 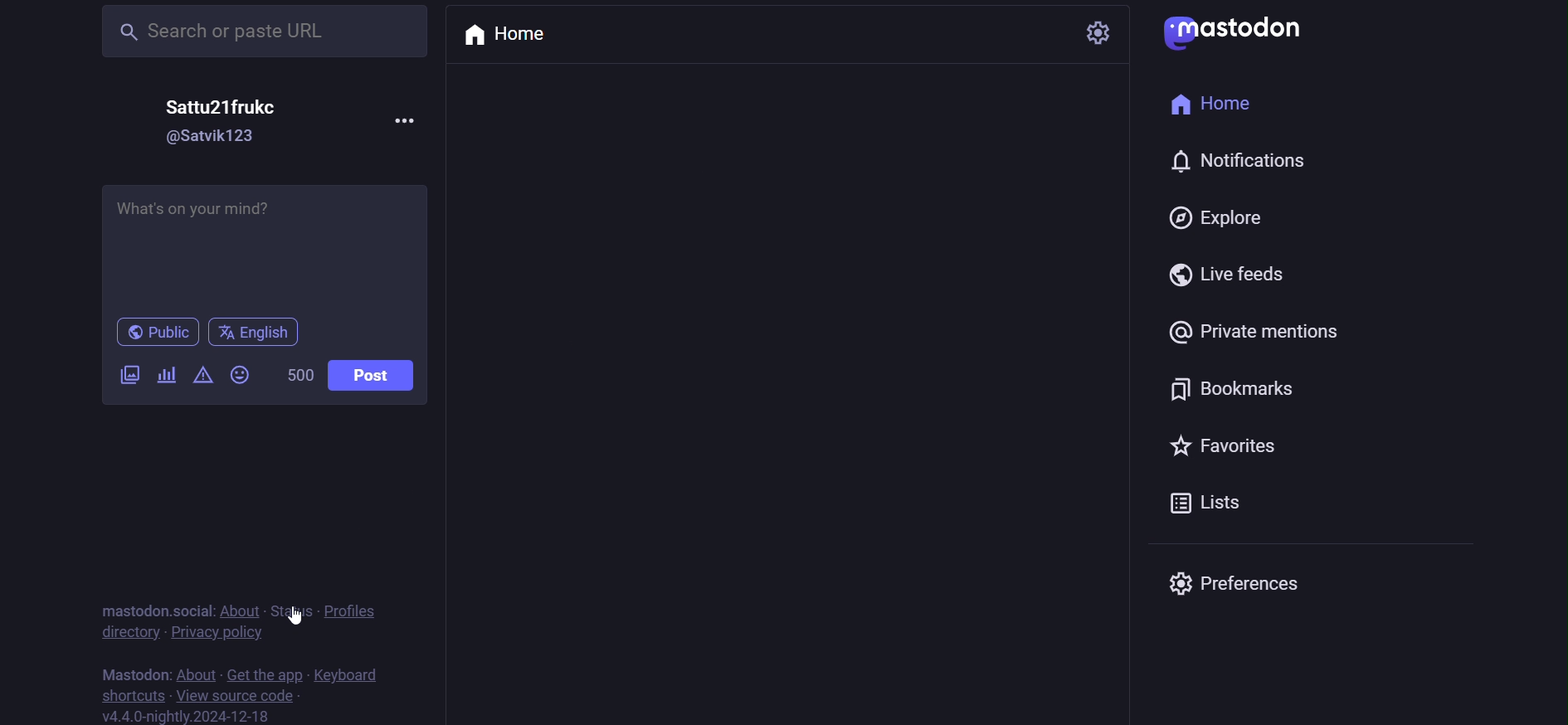 What do you see at coordinates (264, 34) in the screenshot?
I see `search` at bounding box center [264, 34].